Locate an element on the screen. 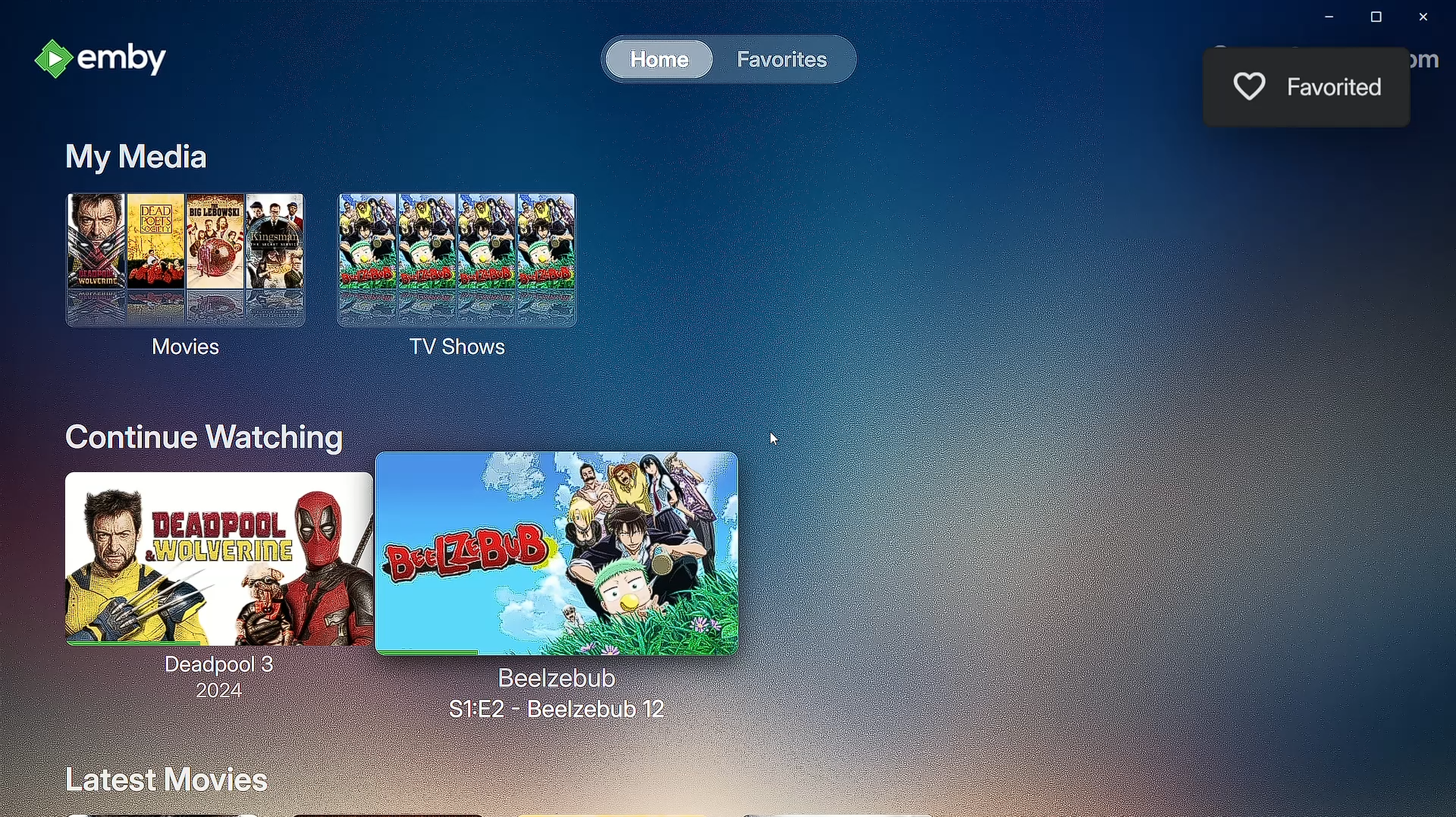 This screenshot has width=1456, height=817. emby is located at coordinates (109, 62).